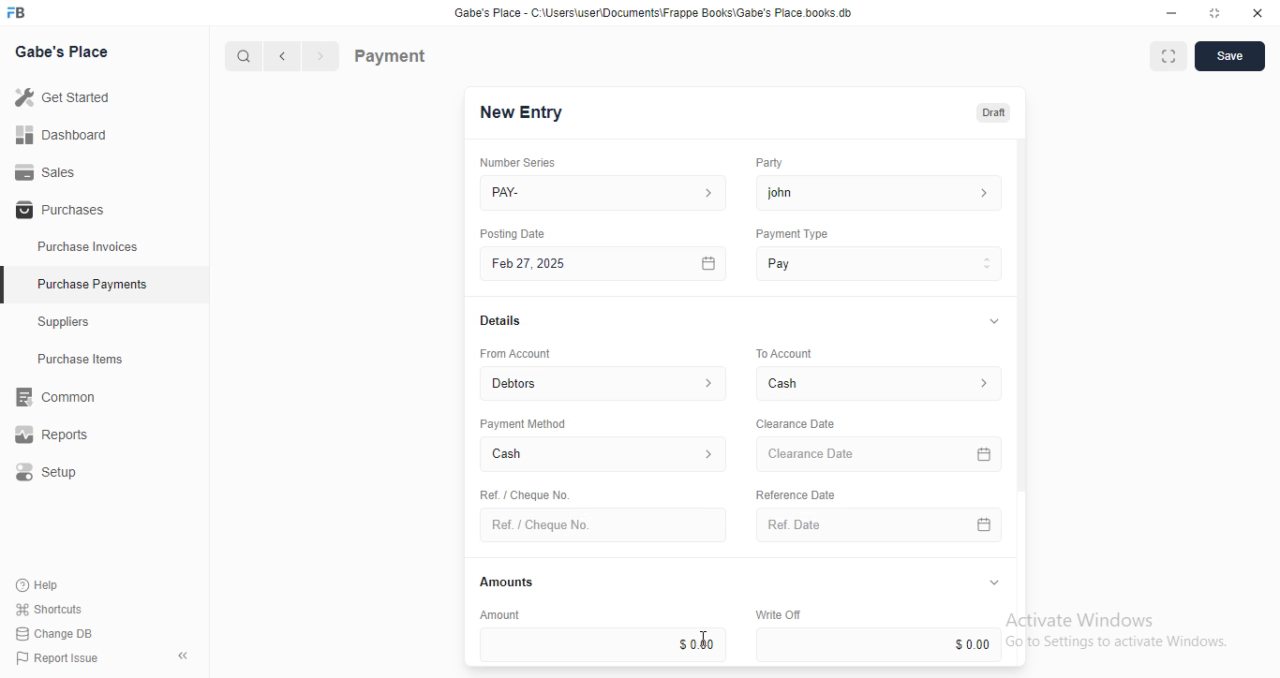 The width and height of the screenshot is (1280, 678). Describe the element at coordinates (66, 53) in the screenshot. I see `Gabe's Place` at that location.